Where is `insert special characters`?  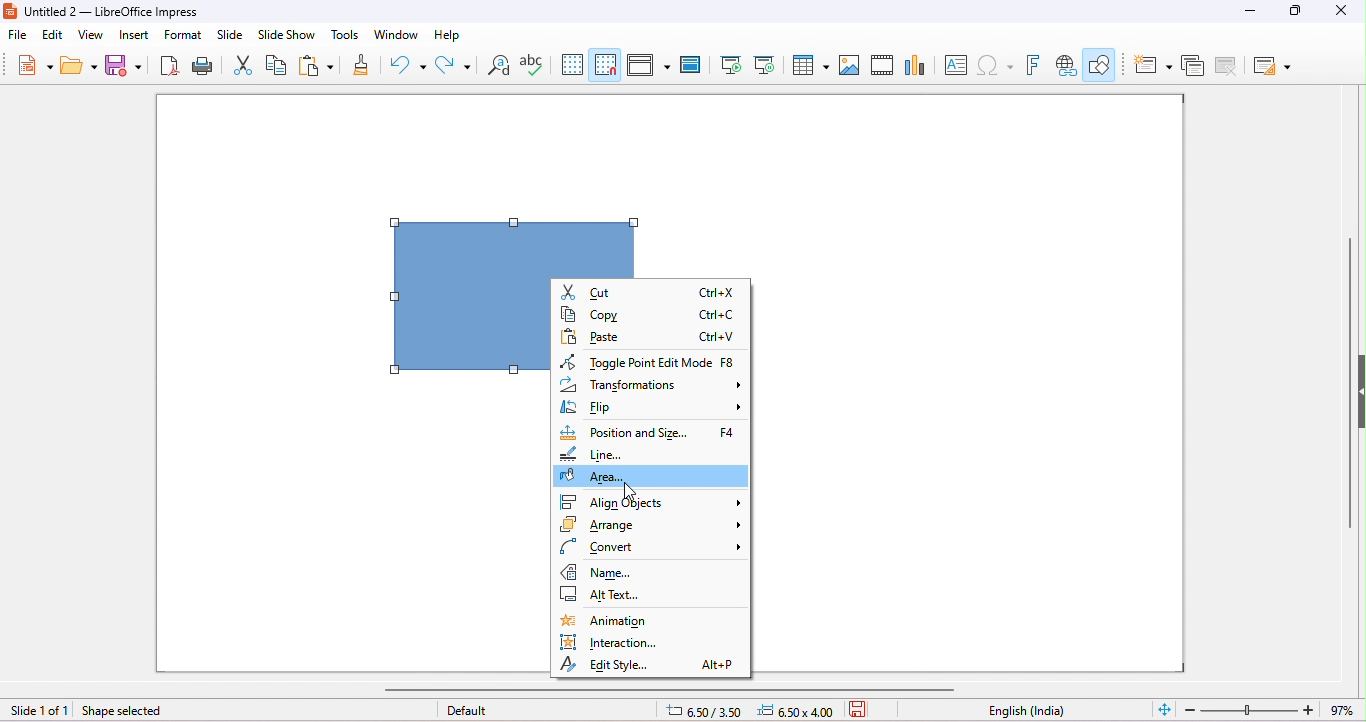 insert special characters is located at coordinates (995, 63).